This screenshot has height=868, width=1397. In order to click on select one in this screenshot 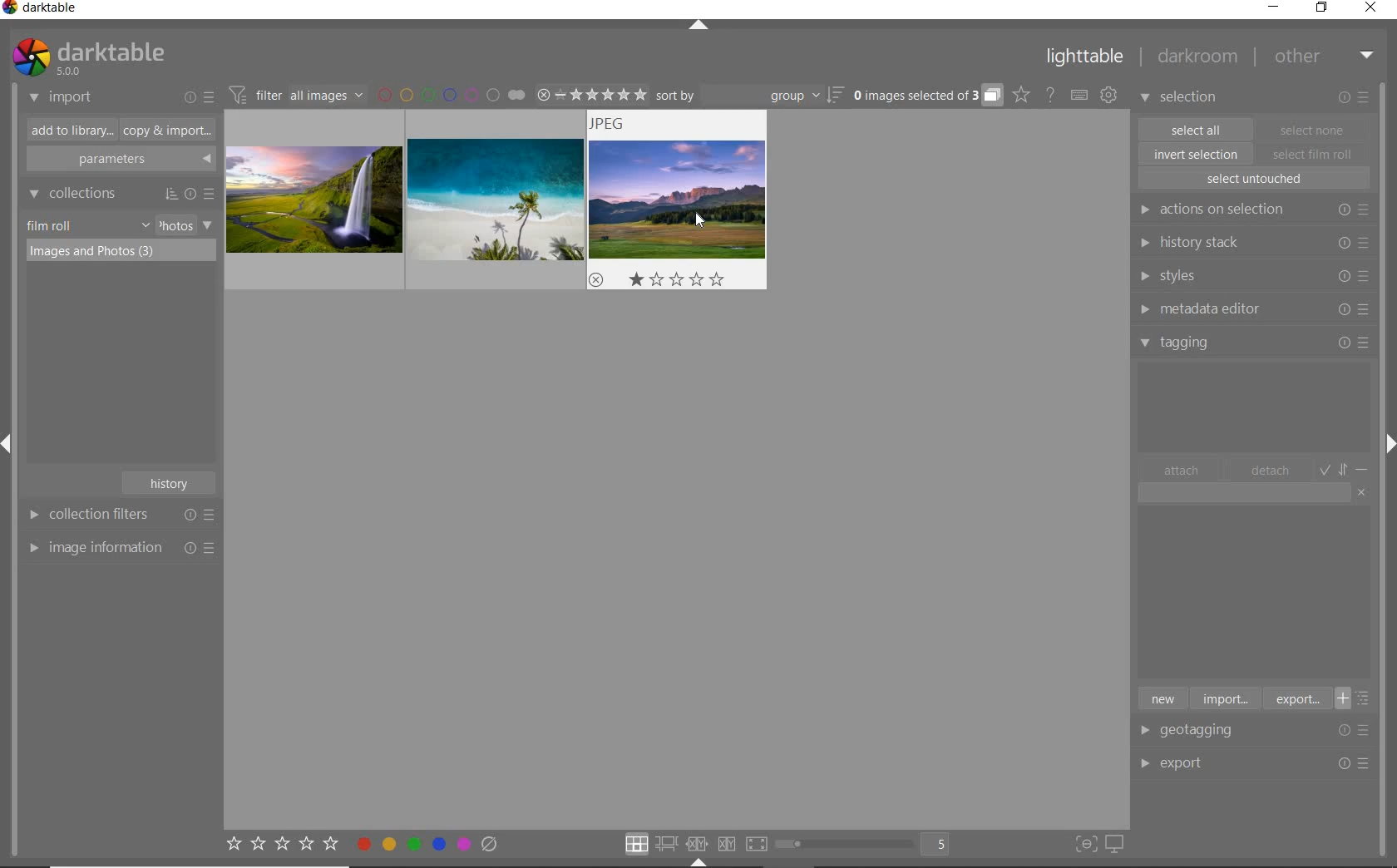, I will do `click(1312, 129)`.